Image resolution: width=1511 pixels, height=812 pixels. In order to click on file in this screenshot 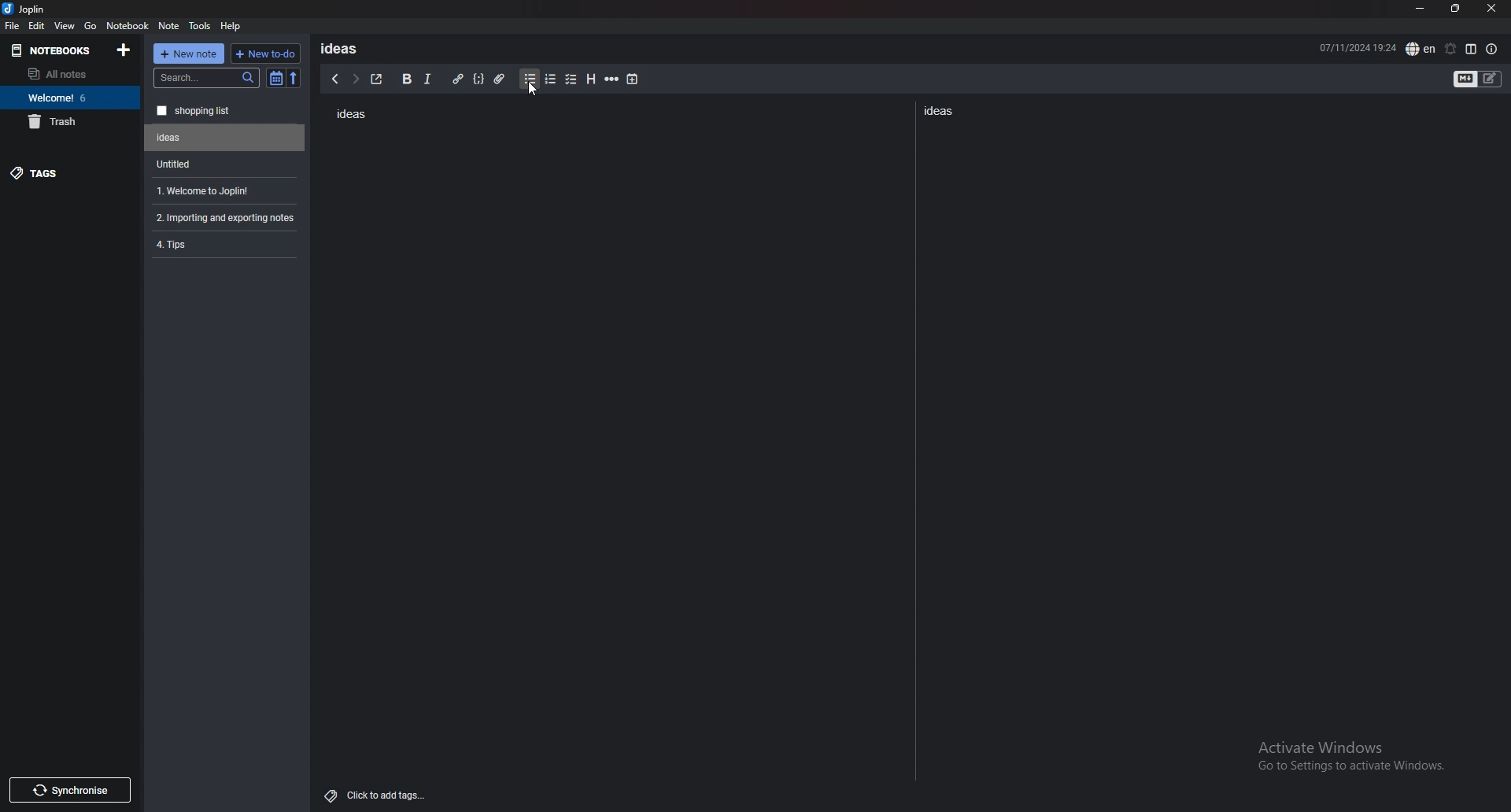, I will do `click(12, 25)`.